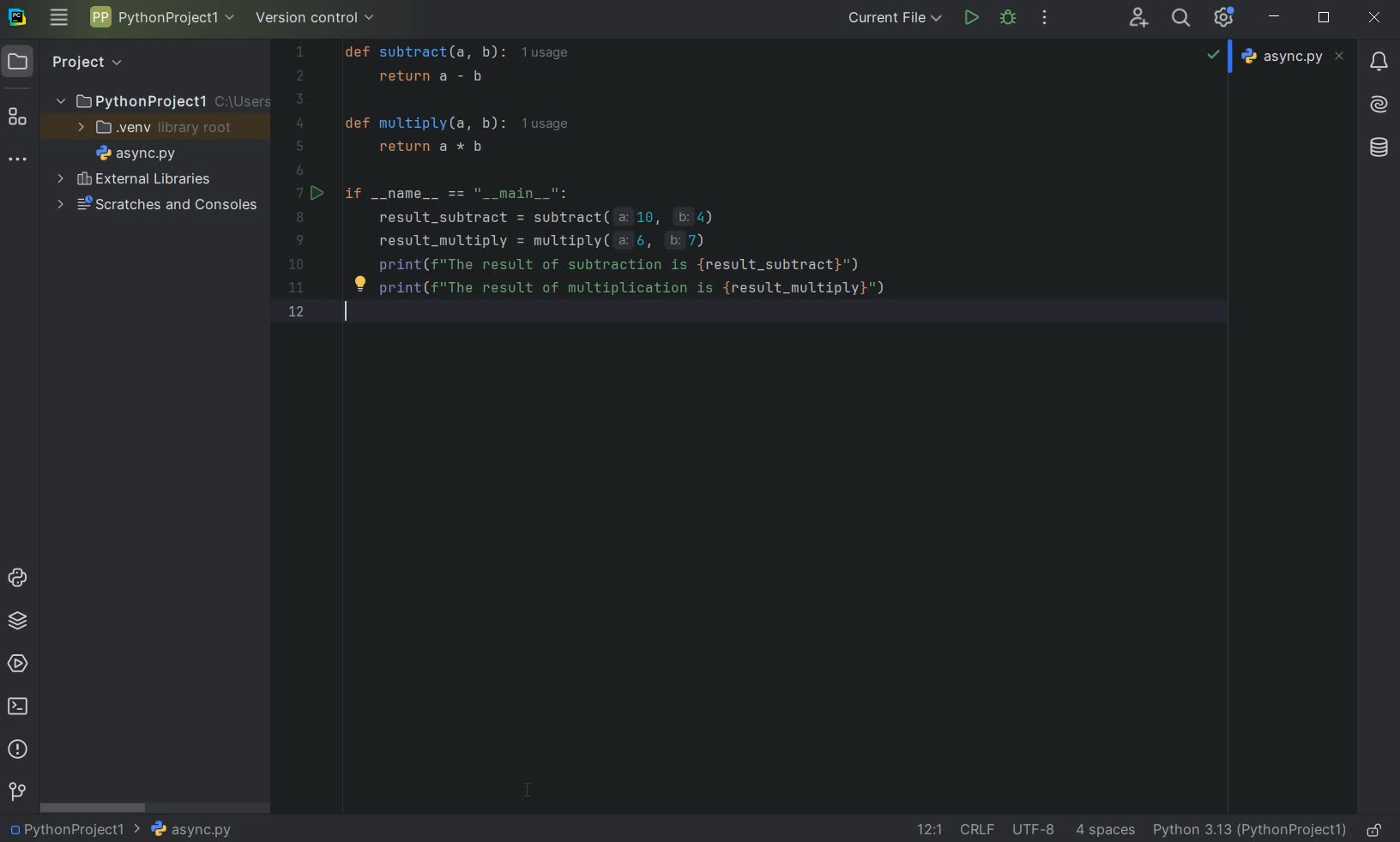 This screenshot has height=842, width=1400. What do you see at coordinates (16, 15) in the screenshot?
I see `system logo` at bounding box center [16, 15].